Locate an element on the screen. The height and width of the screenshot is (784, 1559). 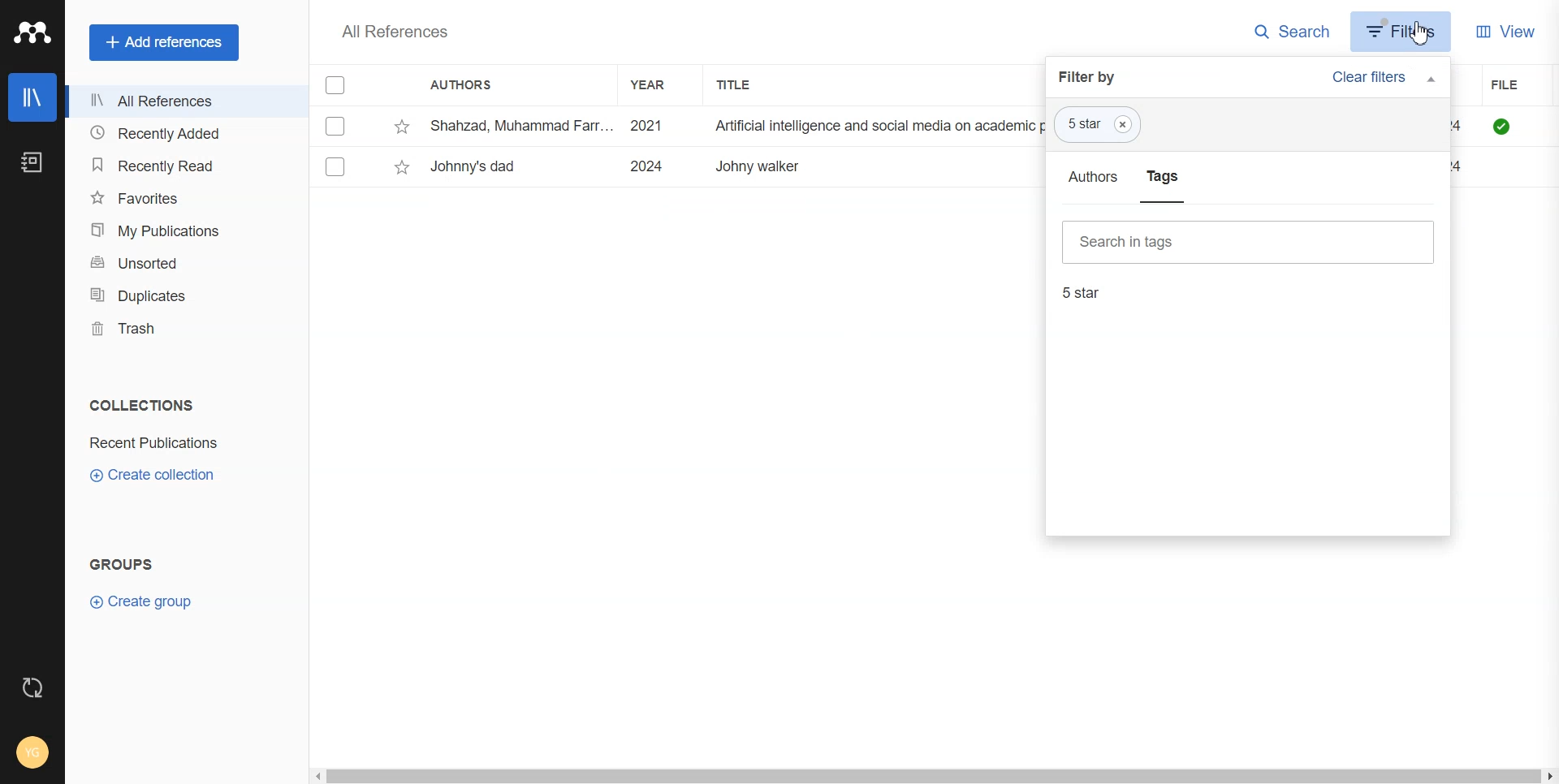
Library is located at coordinates (32, 97).